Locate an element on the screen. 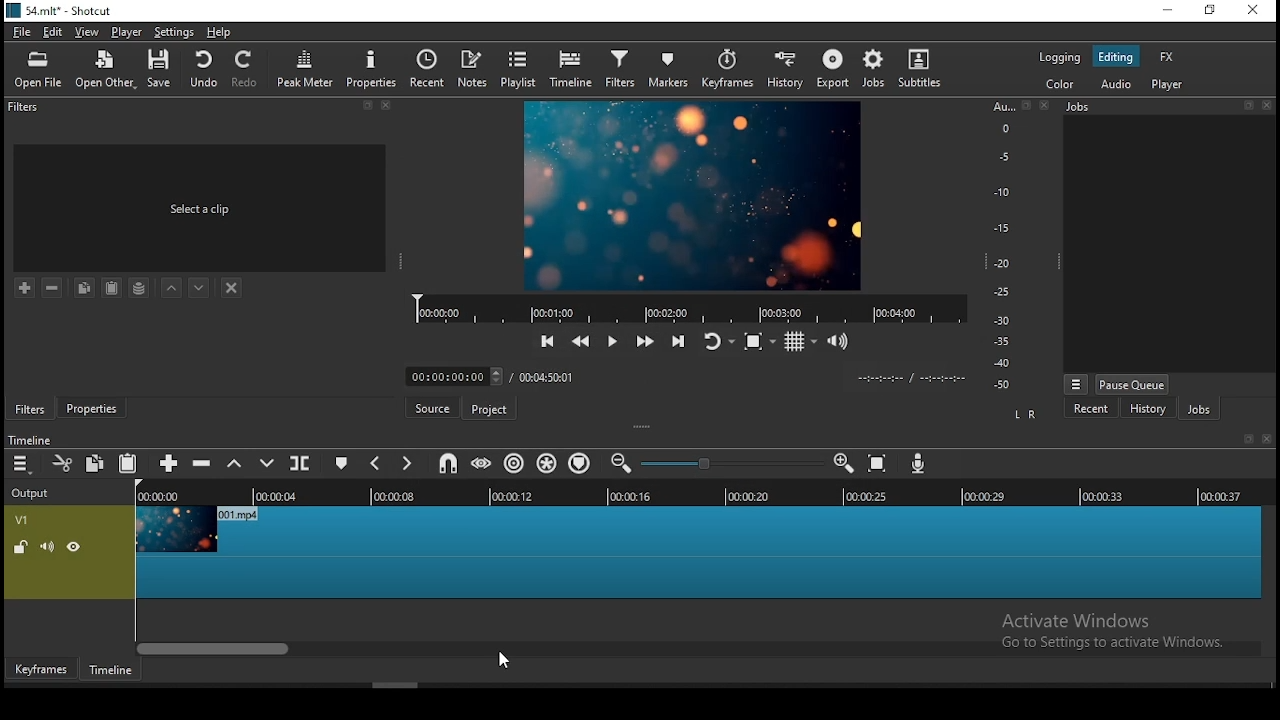 The width and height of the screenshot is (1280, 720). save is located at coordinates (164, 69).